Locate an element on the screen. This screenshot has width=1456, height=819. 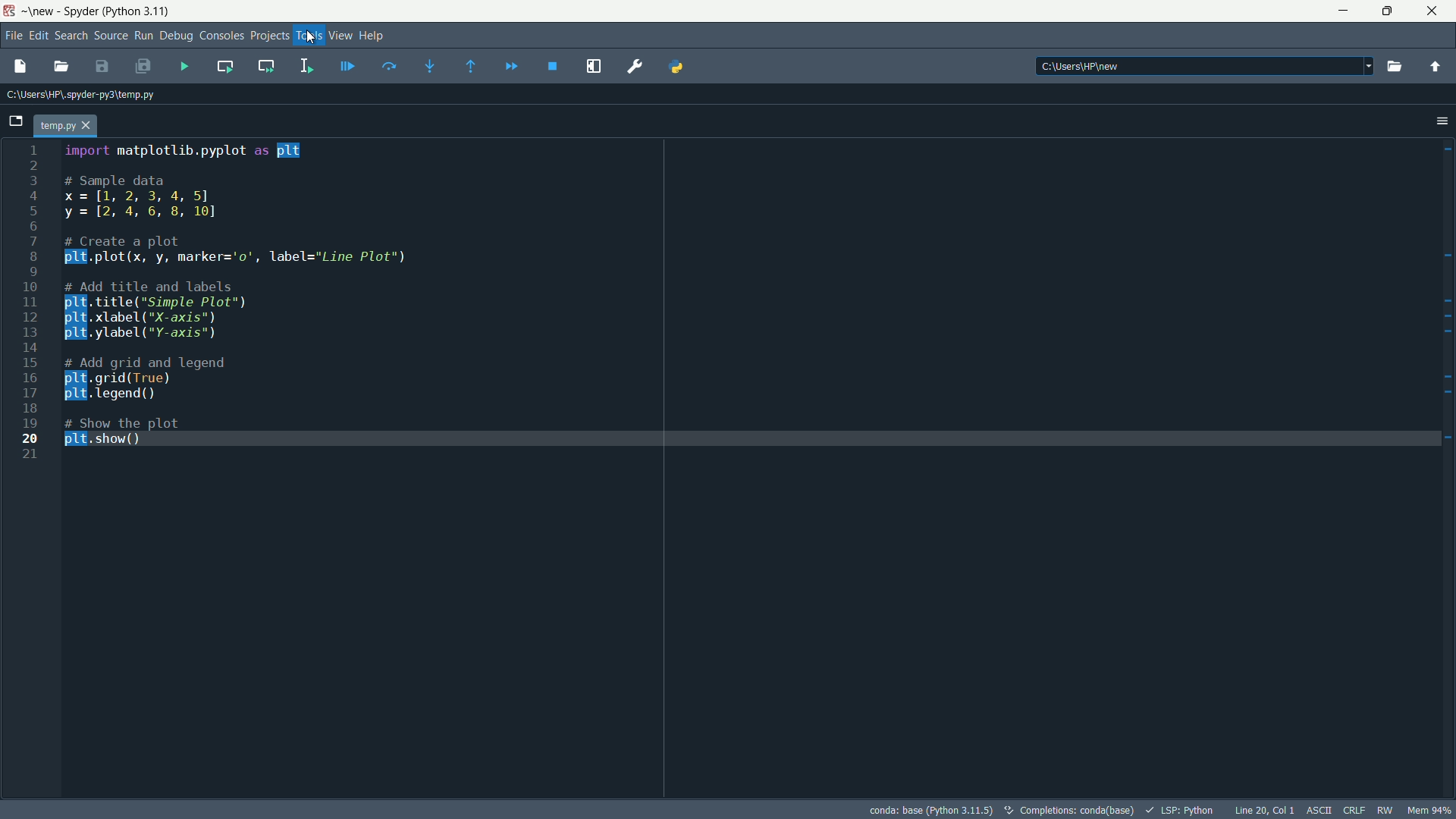
continue debugging until next breakpoint is located at coordinates (510, 67).